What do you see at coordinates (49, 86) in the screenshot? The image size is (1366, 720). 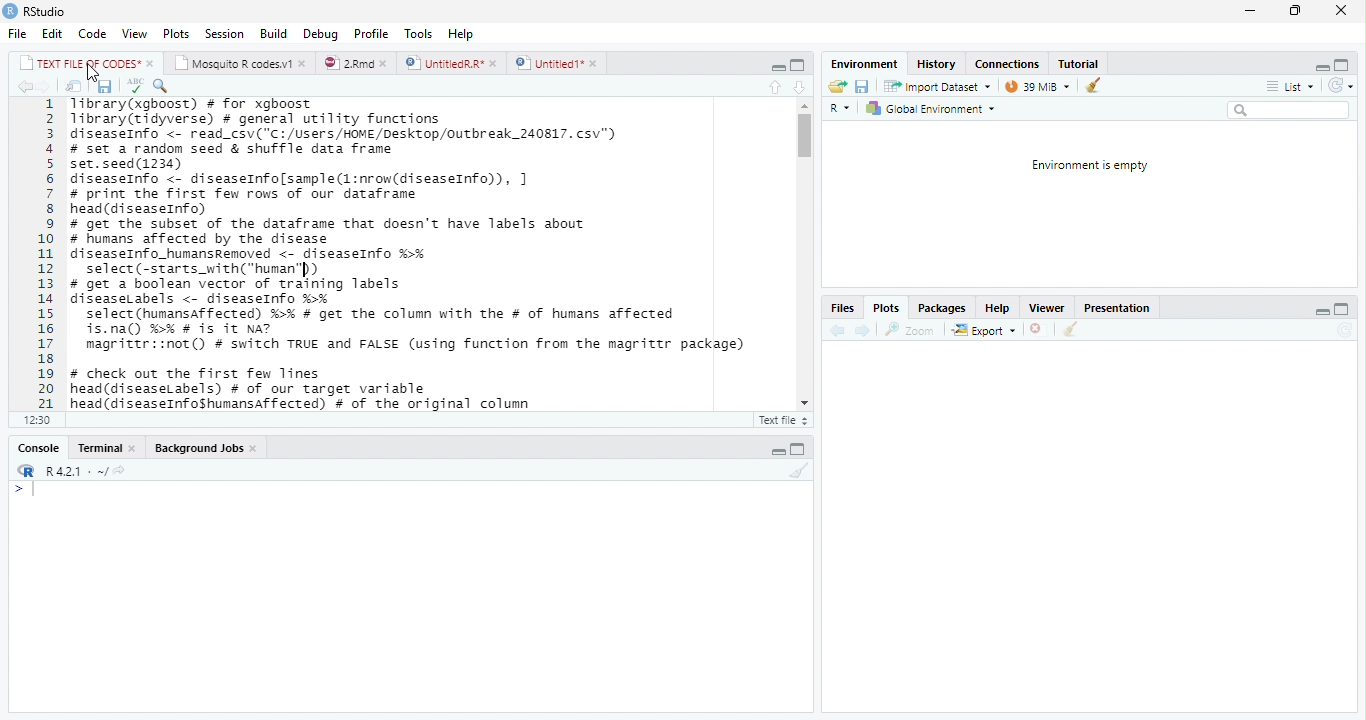 I see `Next` at bounding box center [49, 86].